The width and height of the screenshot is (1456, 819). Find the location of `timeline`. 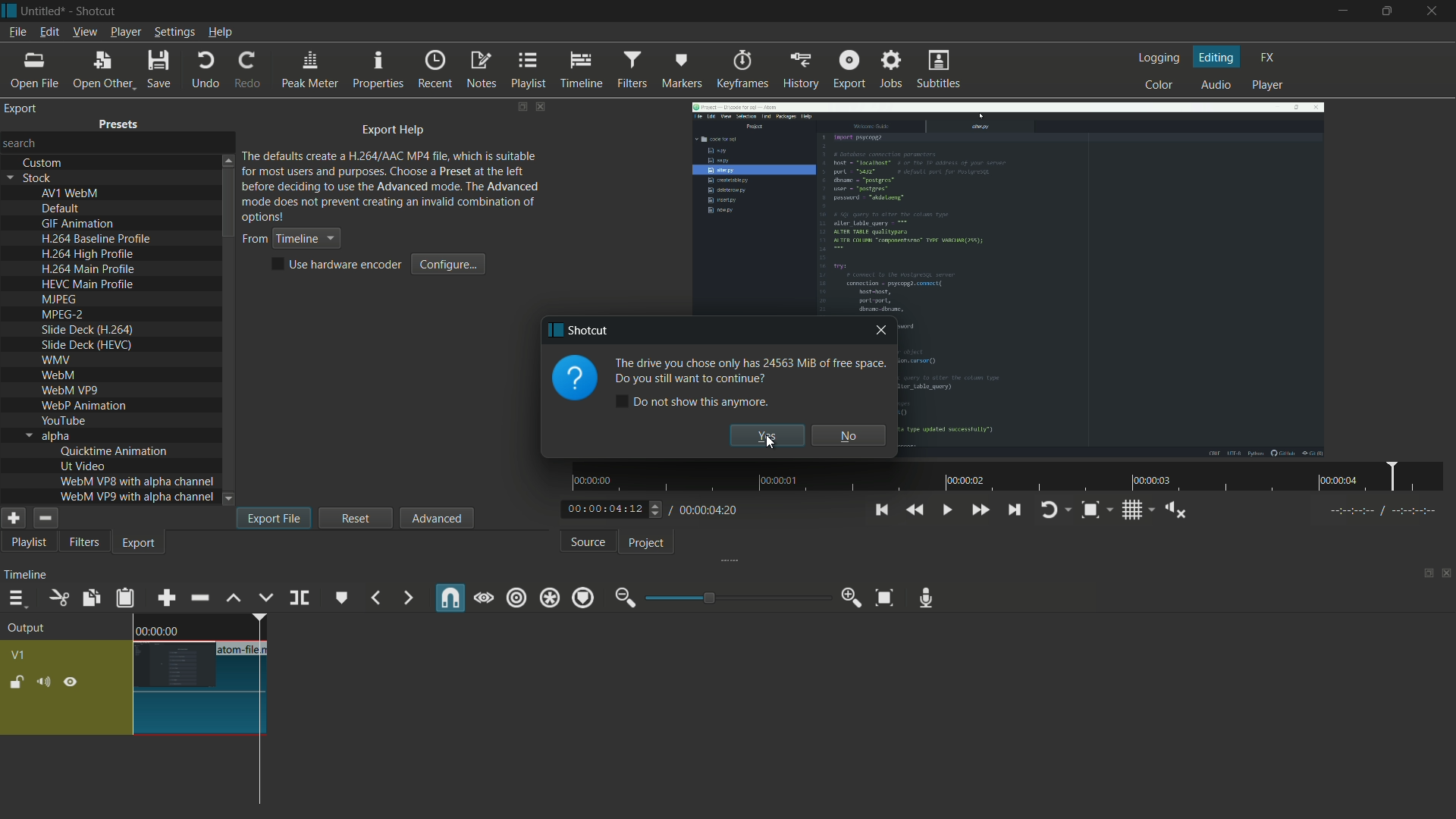

timeline is located at coordinates (583, 71).